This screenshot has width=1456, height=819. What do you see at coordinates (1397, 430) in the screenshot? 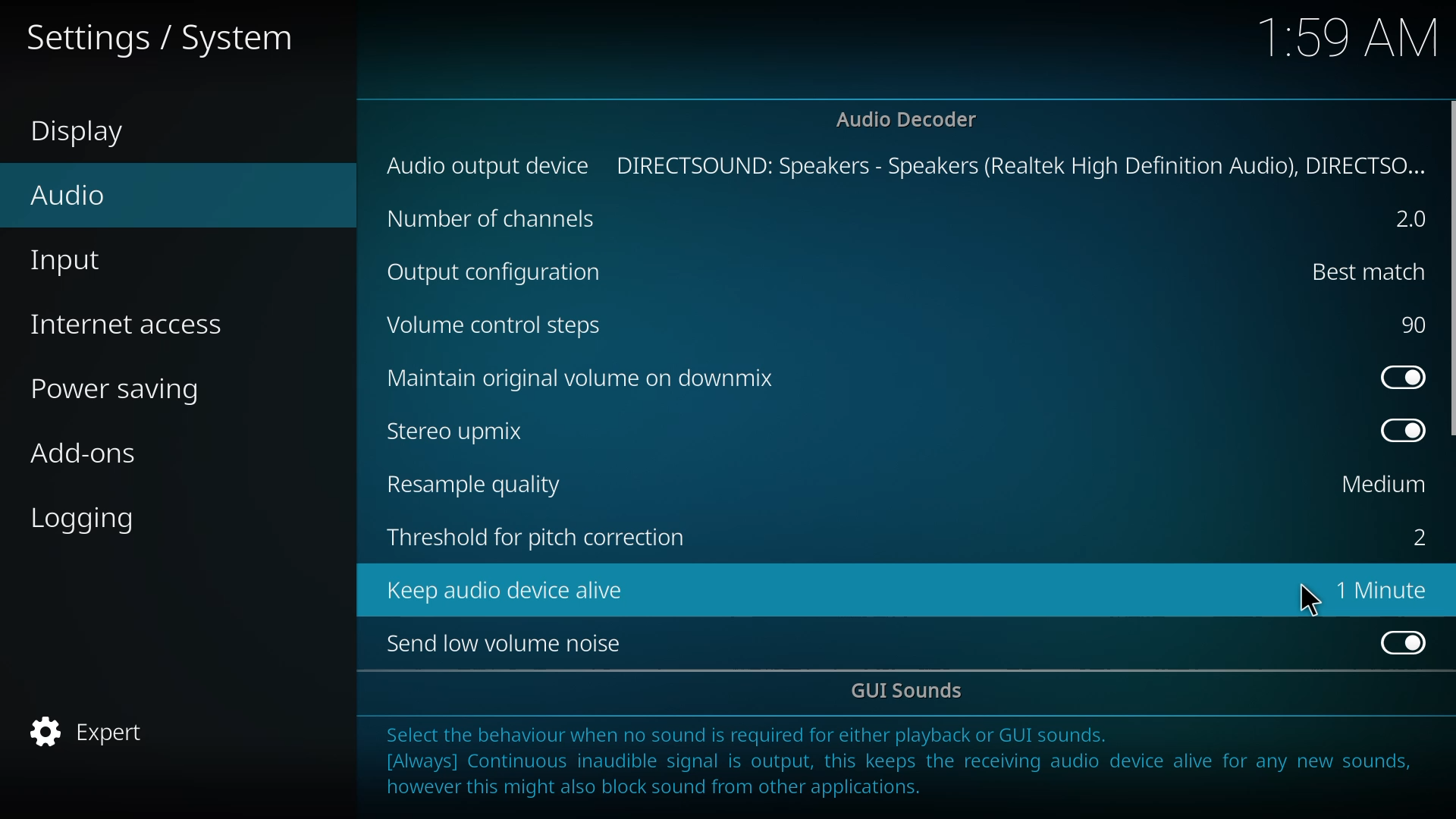
I see `enabled` at bounding box center [1397, 430].